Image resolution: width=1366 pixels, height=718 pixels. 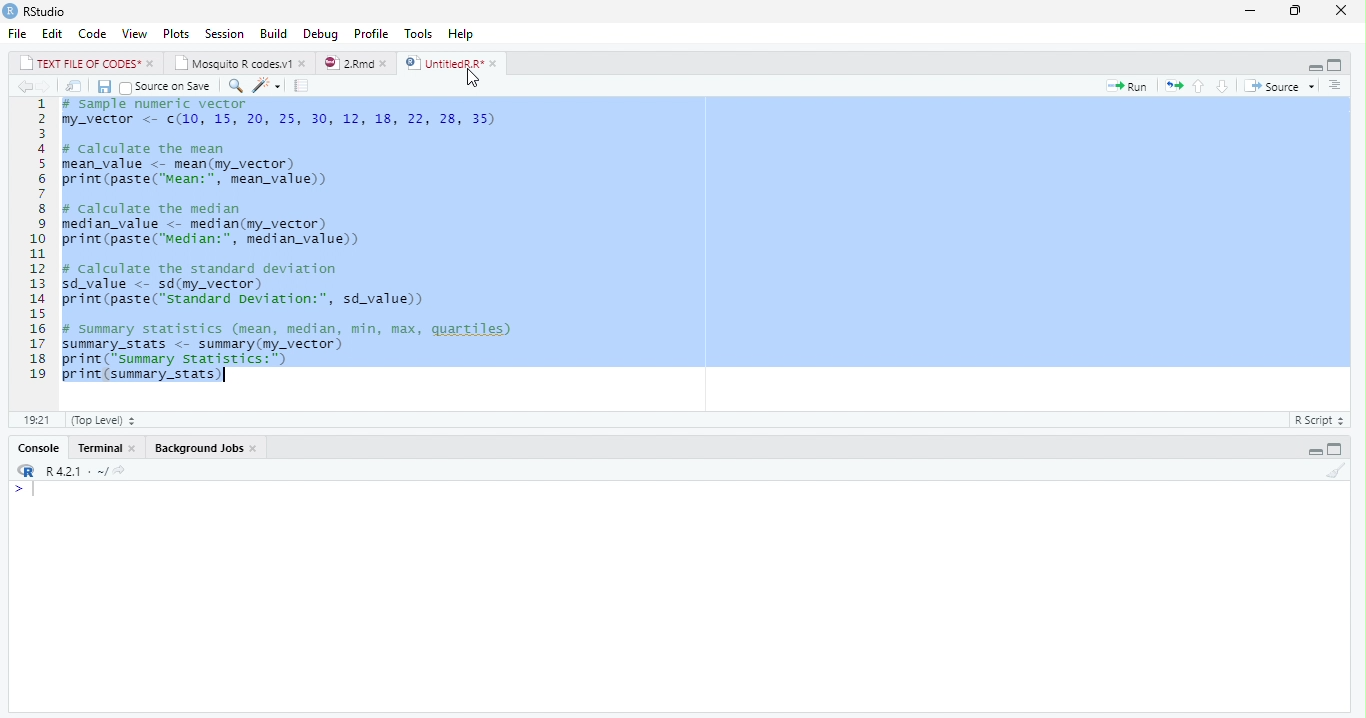 What do you see at coordinates (290, 244) in the screenshot?
I see `# Sample numeric vector my_vector <- c(10, 15, 20, 25, 30, 12, 18, 22, 28, 35)# Calculate the meannean_value <- mean (my_vector)print (paste("Mean:", mean_value))# Calculate the mediannedian_value <- median(ny_vector)print (paste("Median:”, median_value))# Calculate the standard deviationsd_value <- sd(my_vector)print (paste("standard Deviation:", sd_value))# summary statistics (mean, median, min, max, quartiles)summary_stats <- summary (my_vector)print (“Summary statistics: )print (sunmary_stats)` at bounding box center [290, 244].